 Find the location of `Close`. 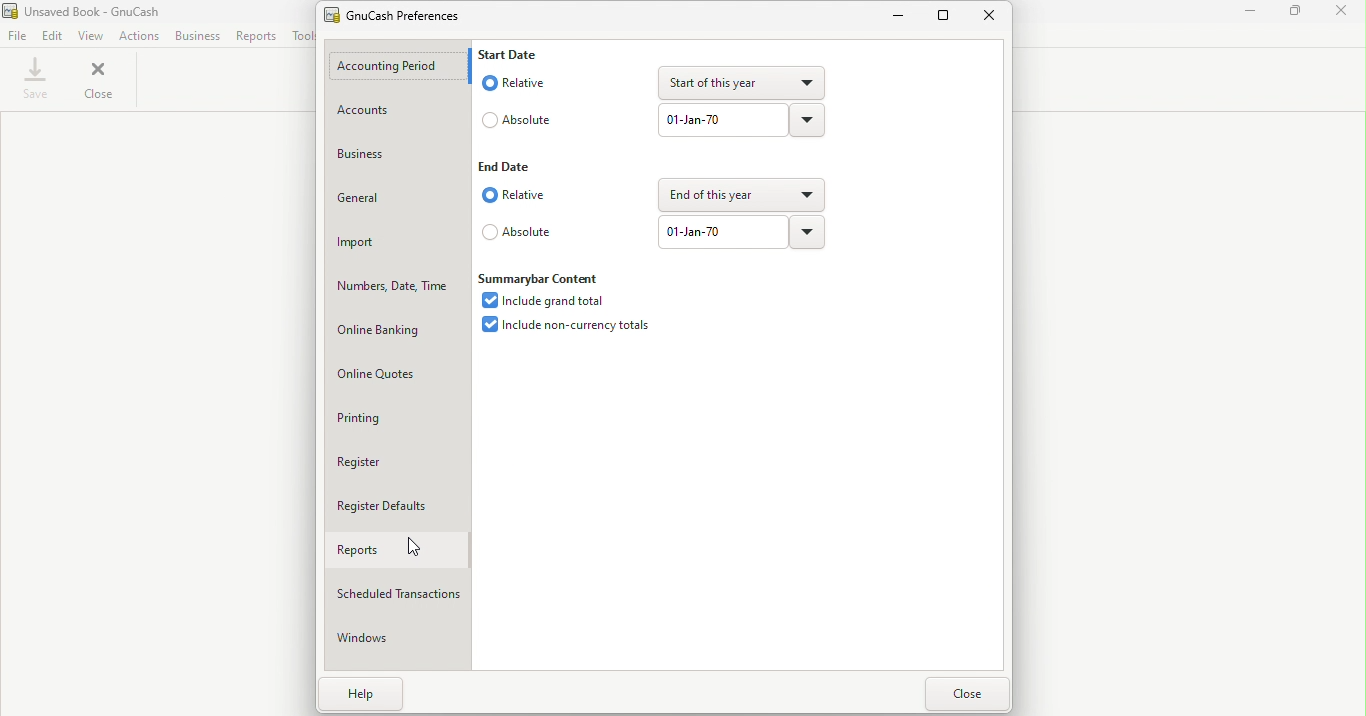

Close is located at coordinates (102, 82).